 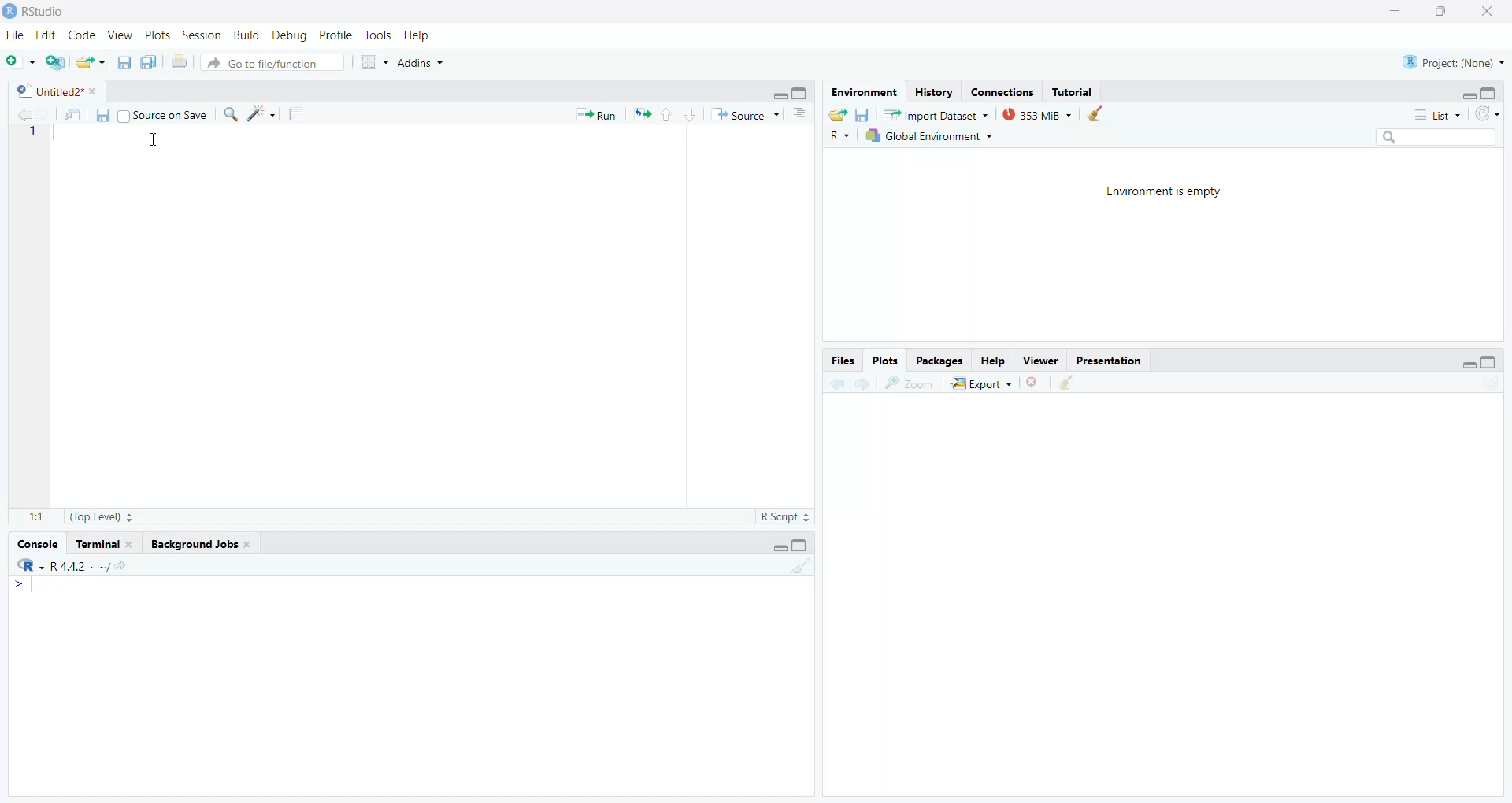 I want to click on  RStudio, so click(x=38, y=10).